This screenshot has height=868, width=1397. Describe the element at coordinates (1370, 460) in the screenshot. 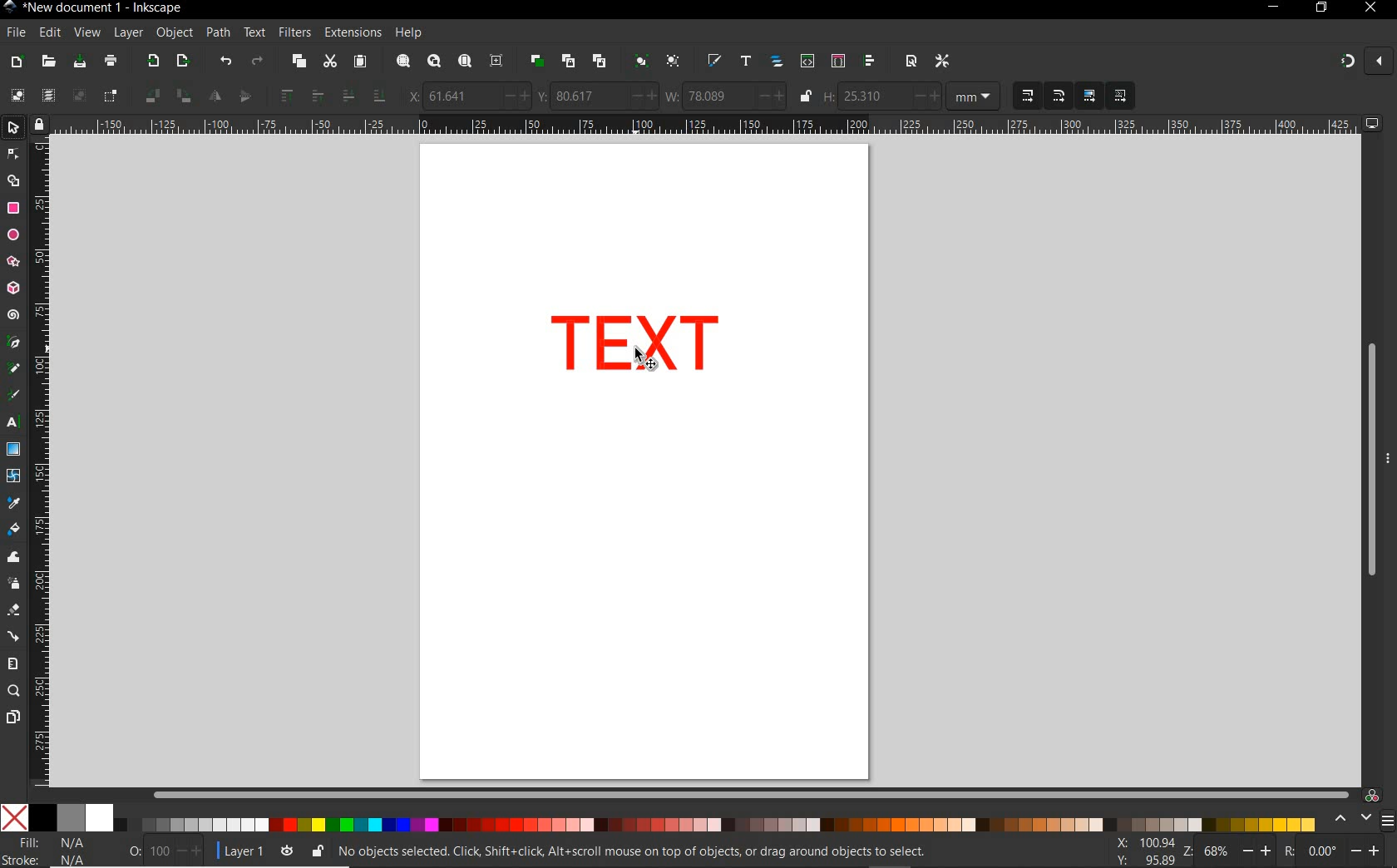

I see `scrollbar` at that location.